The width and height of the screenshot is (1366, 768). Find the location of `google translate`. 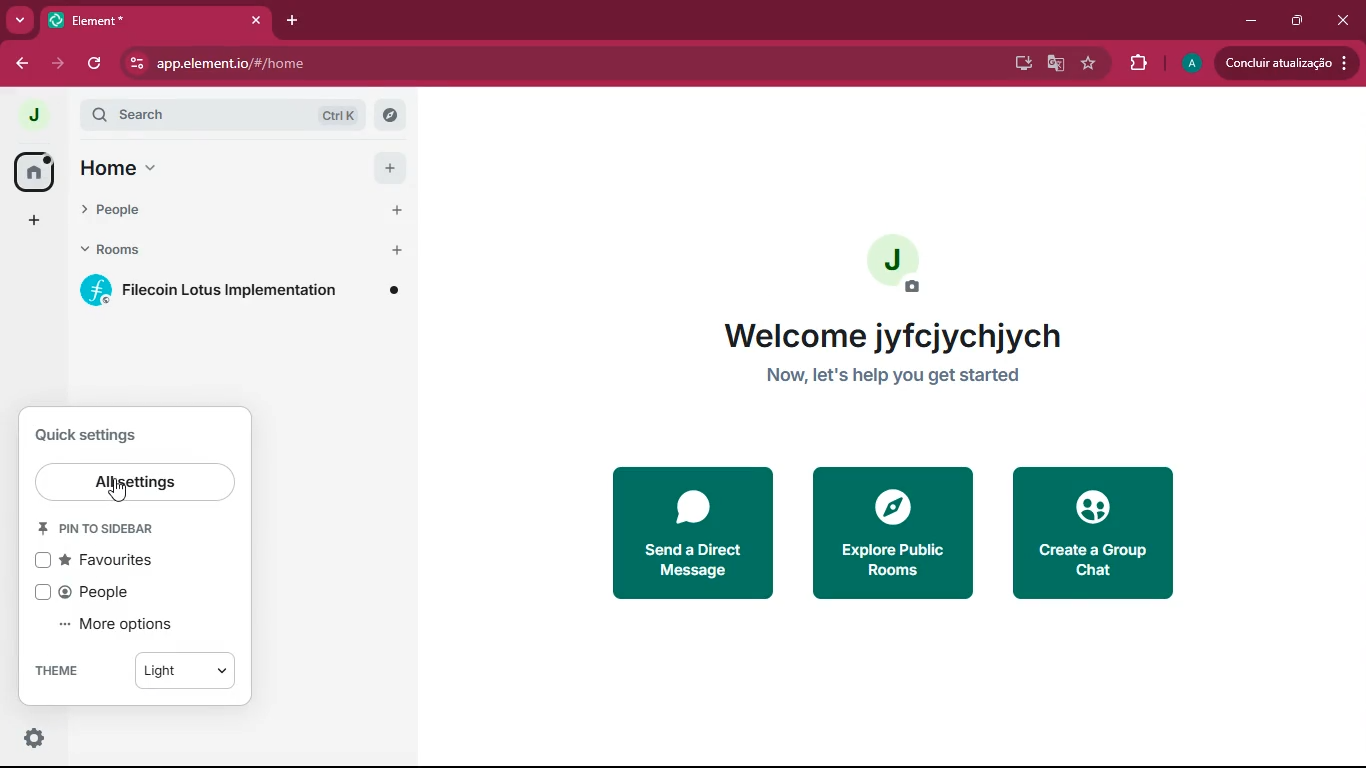

google translate is located at coordinates (1053, 65).